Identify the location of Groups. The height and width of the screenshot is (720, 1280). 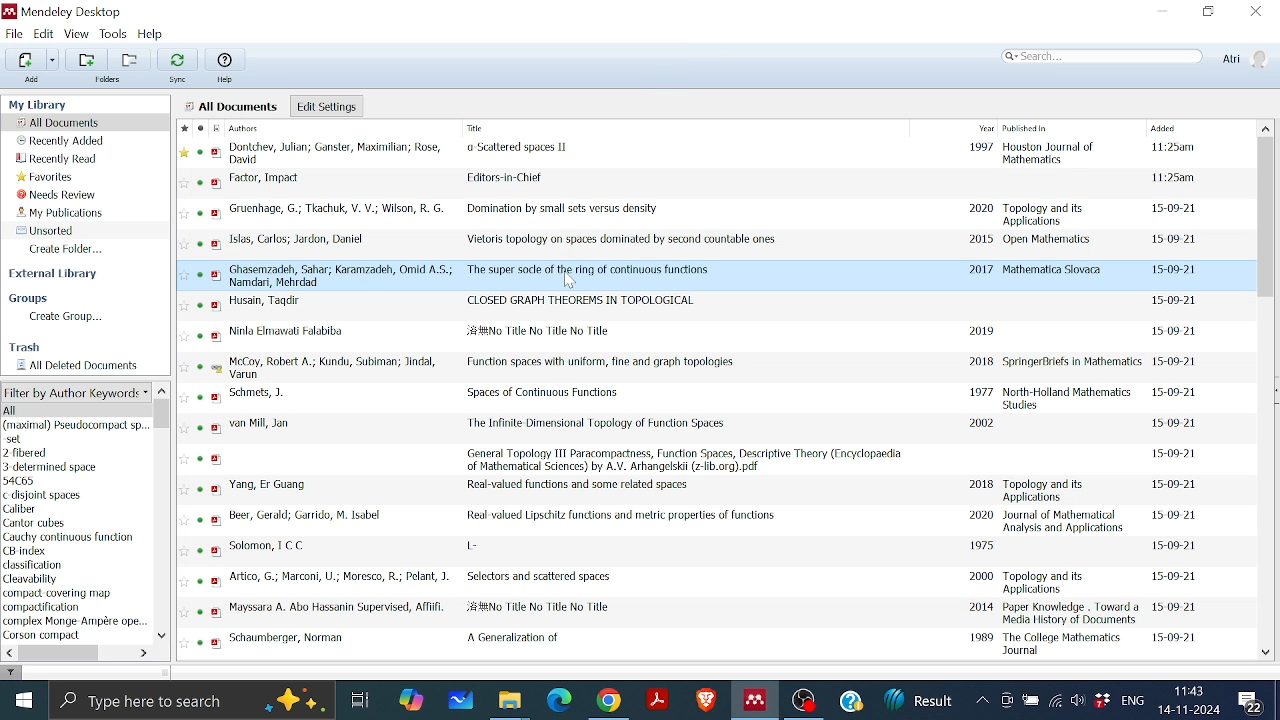
(29, 299).